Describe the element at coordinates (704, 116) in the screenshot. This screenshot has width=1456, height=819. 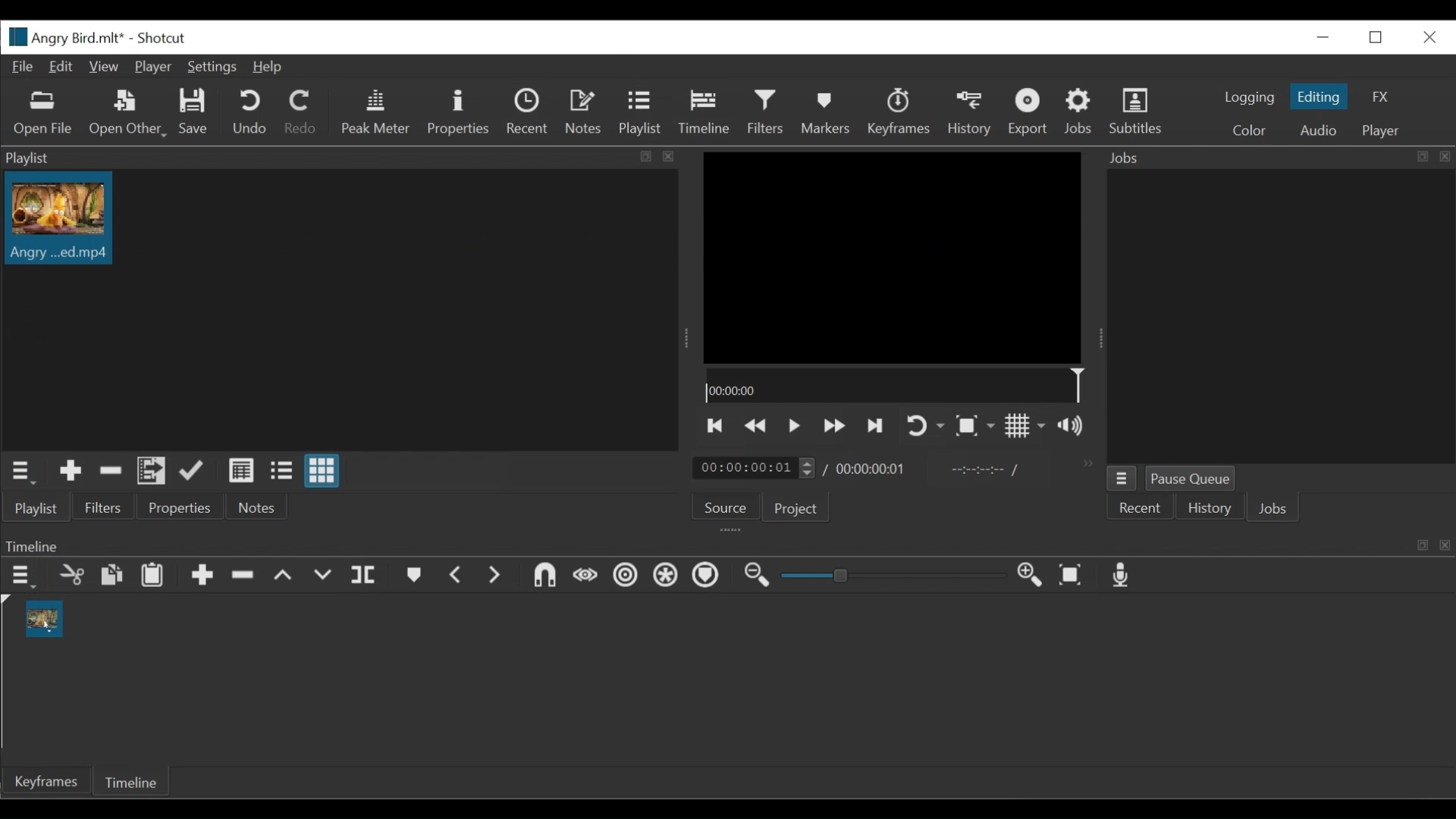
I see `Cursor` at that location.